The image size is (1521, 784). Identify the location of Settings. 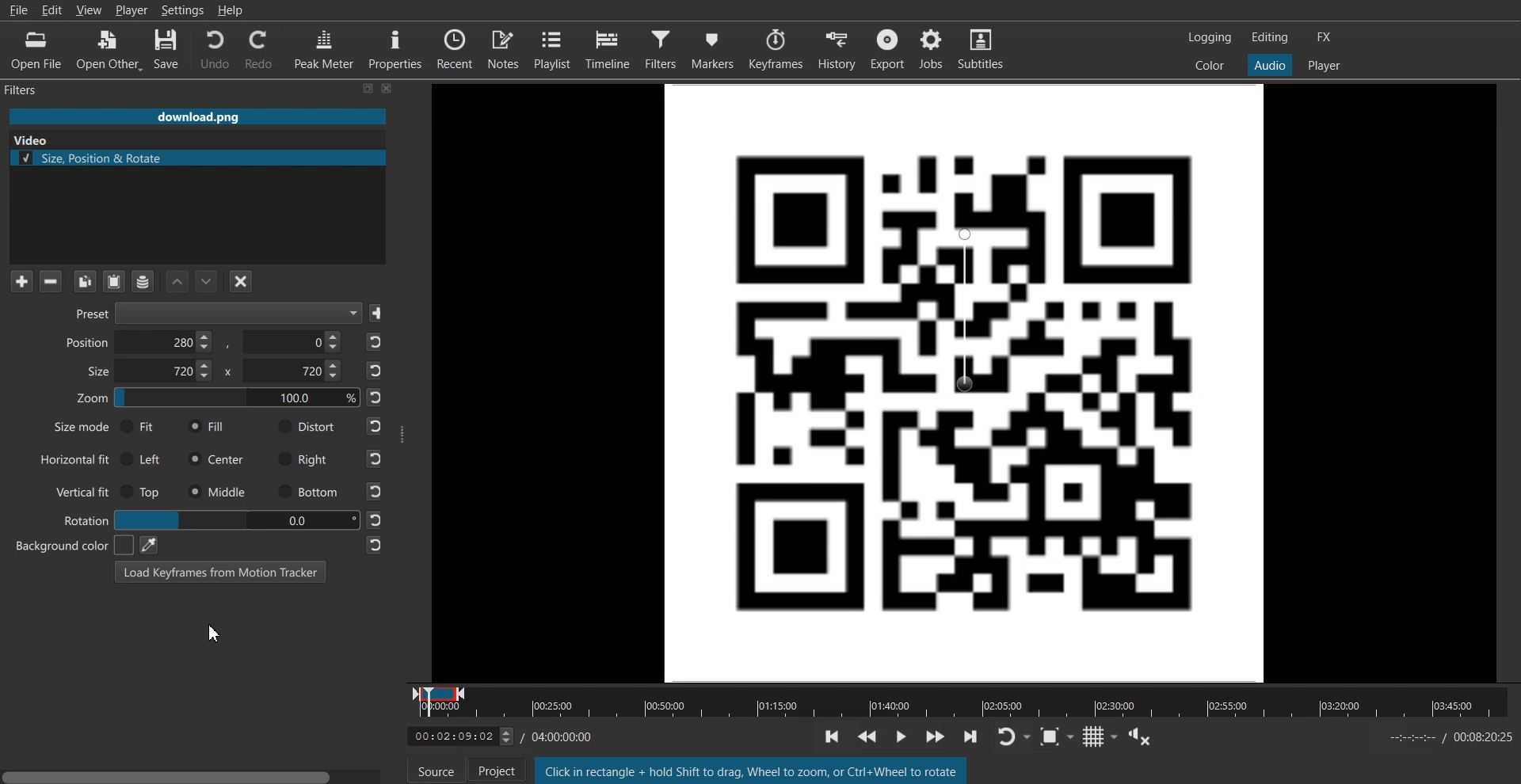
(183, 10).